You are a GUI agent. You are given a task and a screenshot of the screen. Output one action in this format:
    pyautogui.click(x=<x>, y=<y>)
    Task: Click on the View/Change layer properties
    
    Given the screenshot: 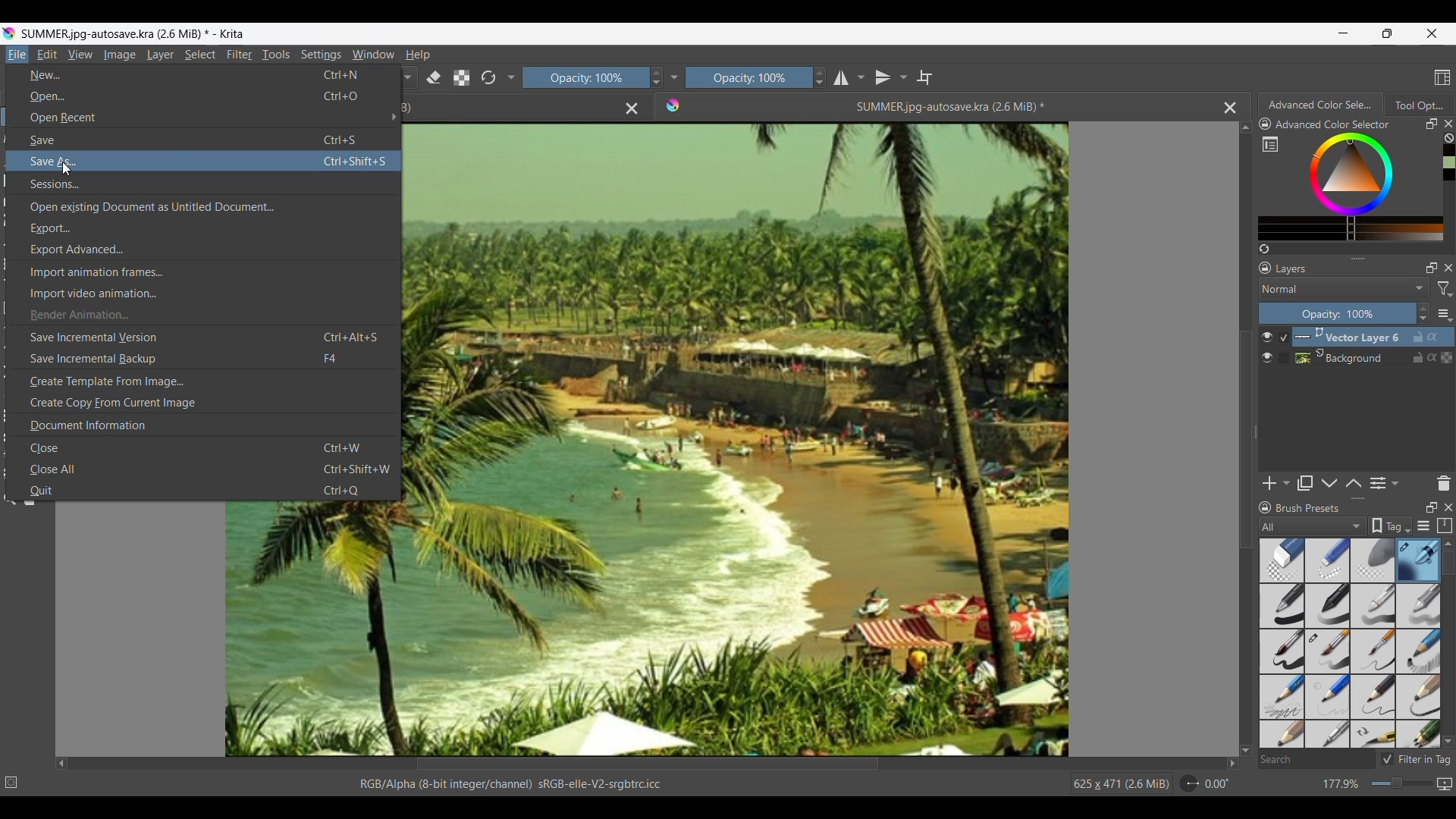 What is the action you would take?
    pyautogui.click(x=1384, y=483)
    